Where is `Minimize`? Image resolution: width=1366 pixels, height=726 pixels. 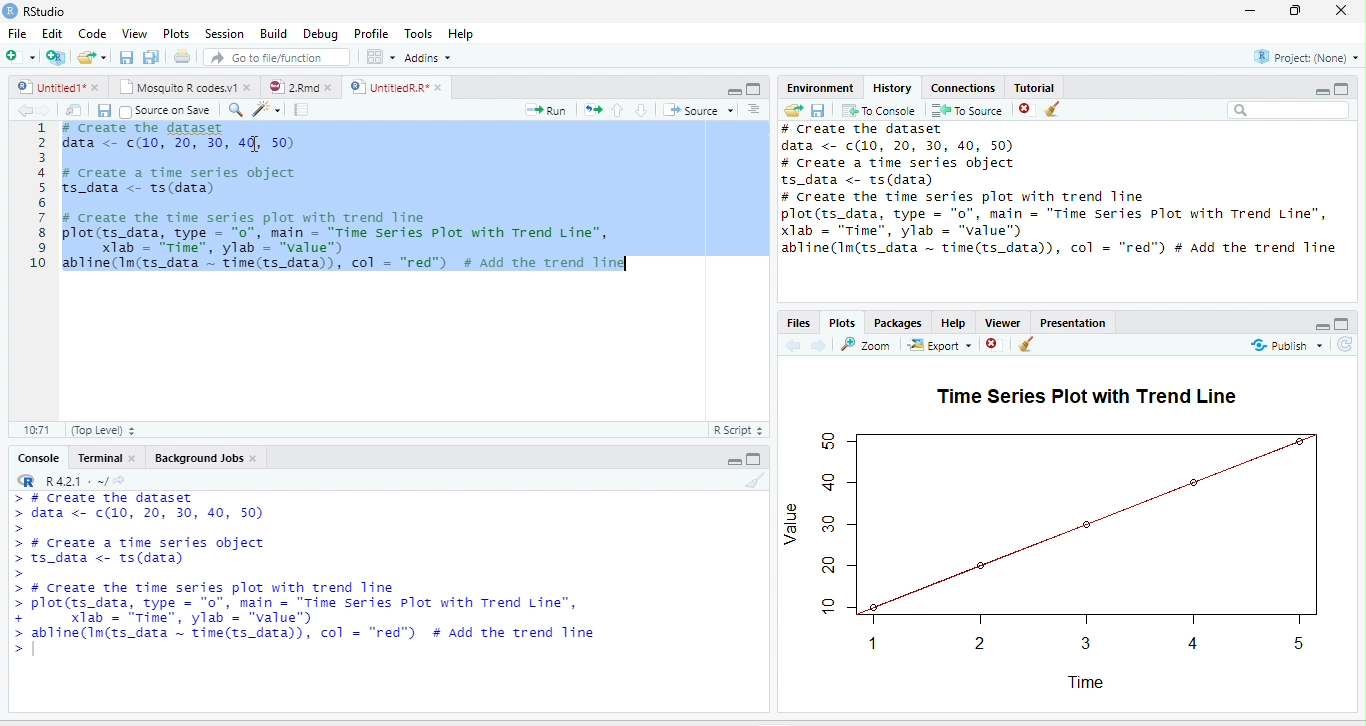 Minimize is located at coordinates (1321, 326).